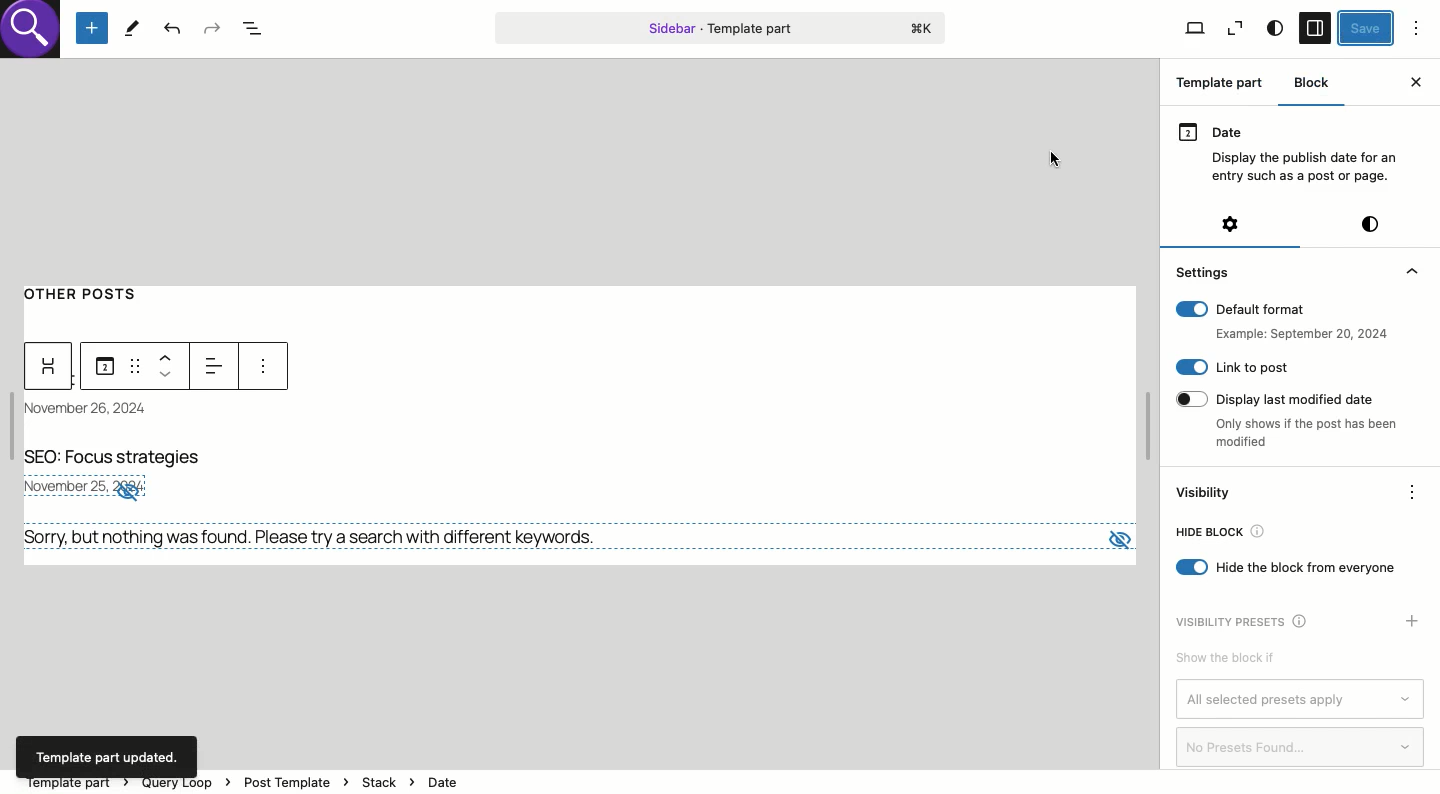  What do you see at coordinates (104, 367) in the screenshot?
I see `Date` at bounding box center [104, 367].